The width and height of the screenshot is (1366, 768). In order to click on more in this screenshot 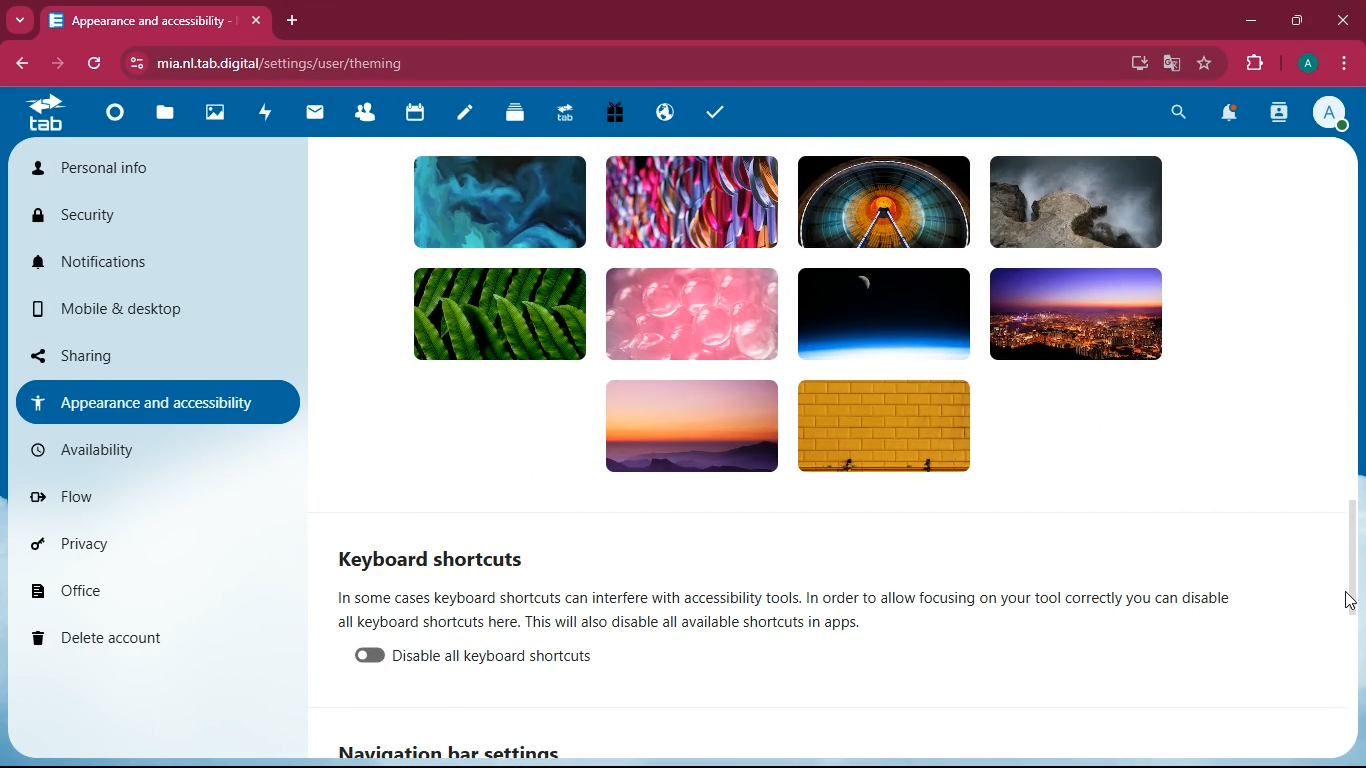, I will do `click(19, 19)`.